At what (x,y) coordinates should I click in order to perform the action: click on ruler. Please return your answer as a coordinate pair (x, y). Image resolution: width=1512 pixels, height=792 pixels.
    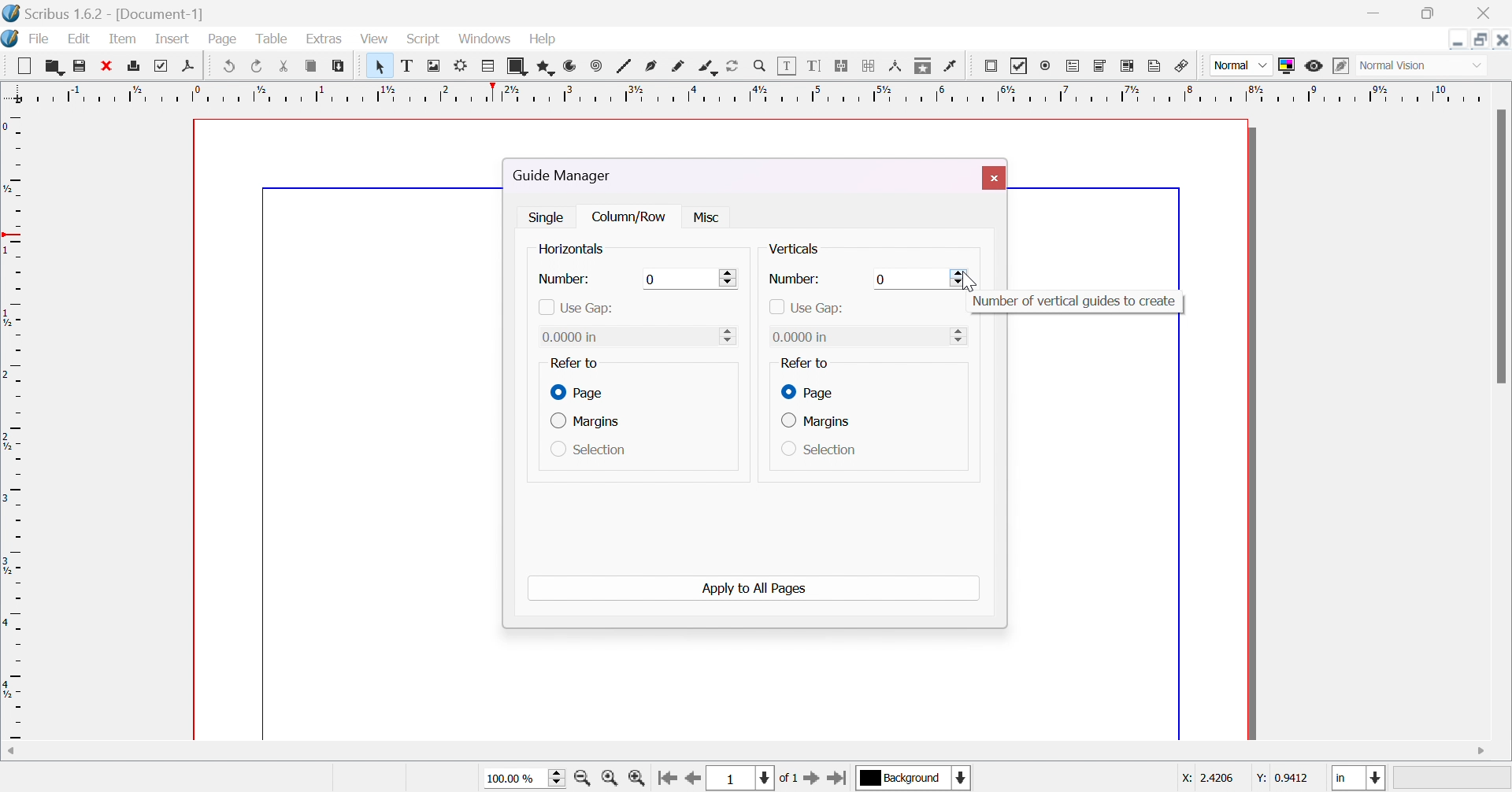
    Looking at the image, I should click on (754, 92).